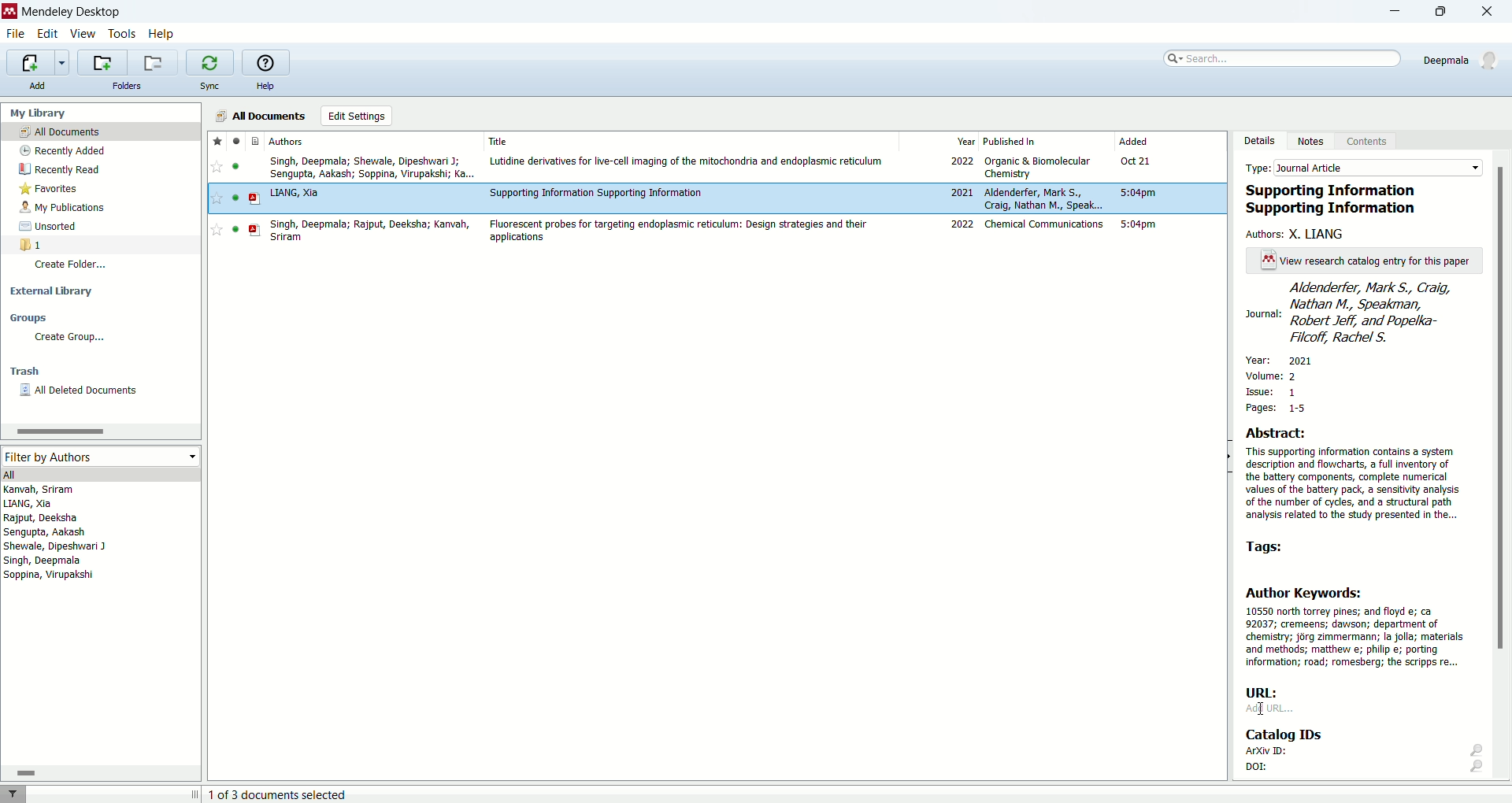 The height and width of the screenshot is (803, 1512). Describe the element at coordinates (43, 86) in the screenshot. I see `add` at that location.